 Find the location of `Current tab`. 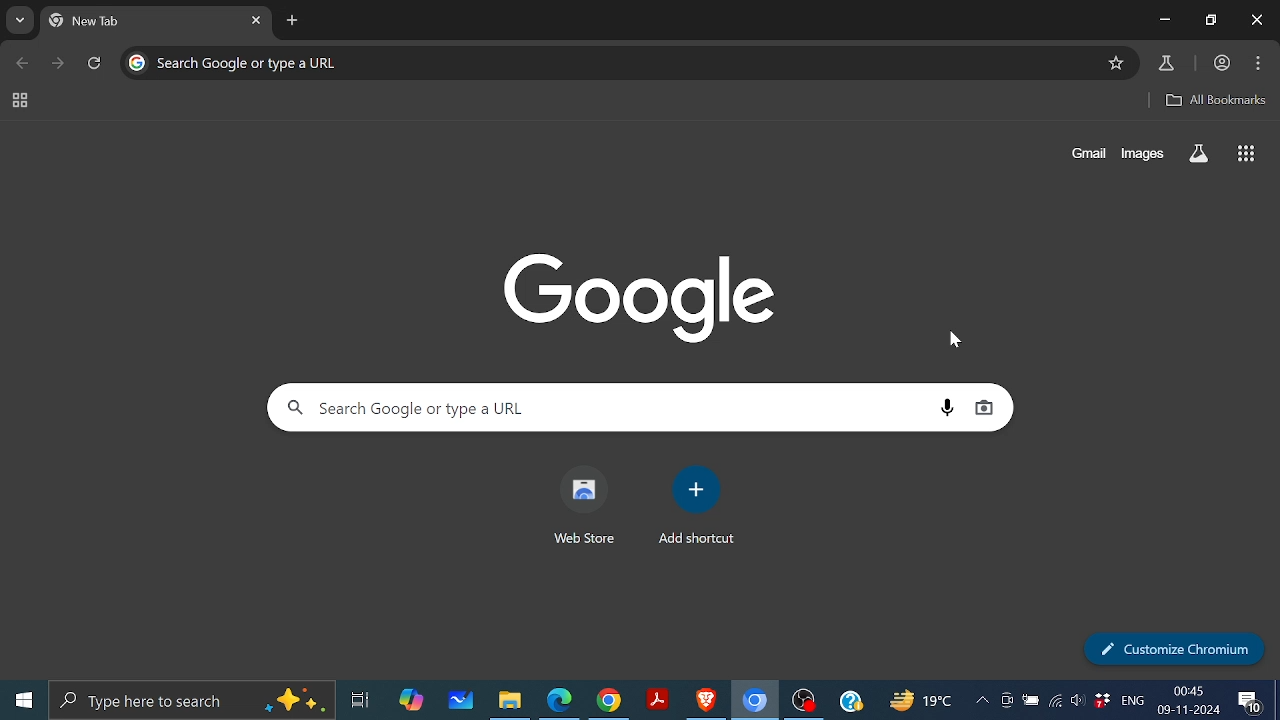

Current tab is located at coordinates (143, 21).